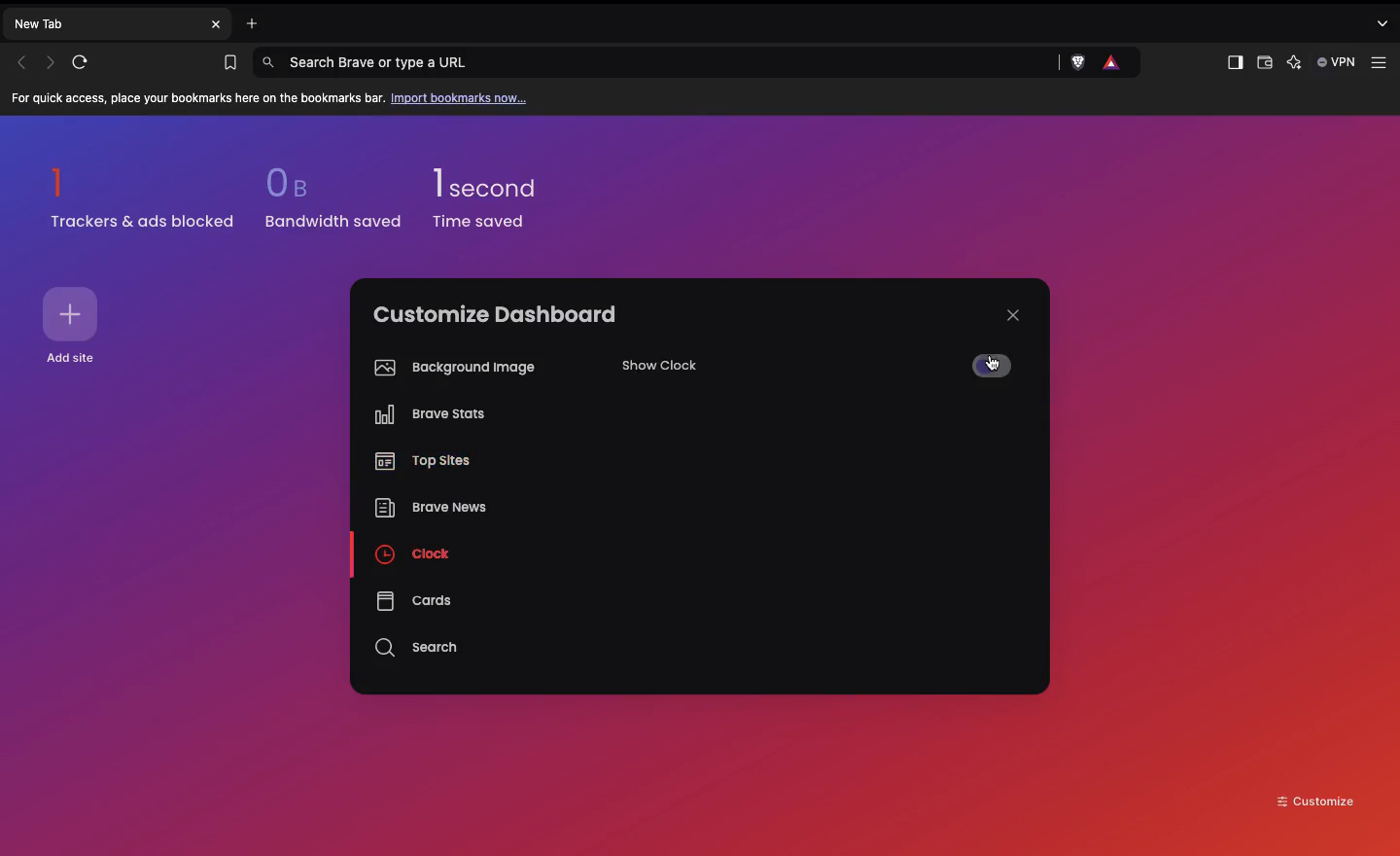 The image size is (1400, 856). I want to click on Background image, so click(450, 368).